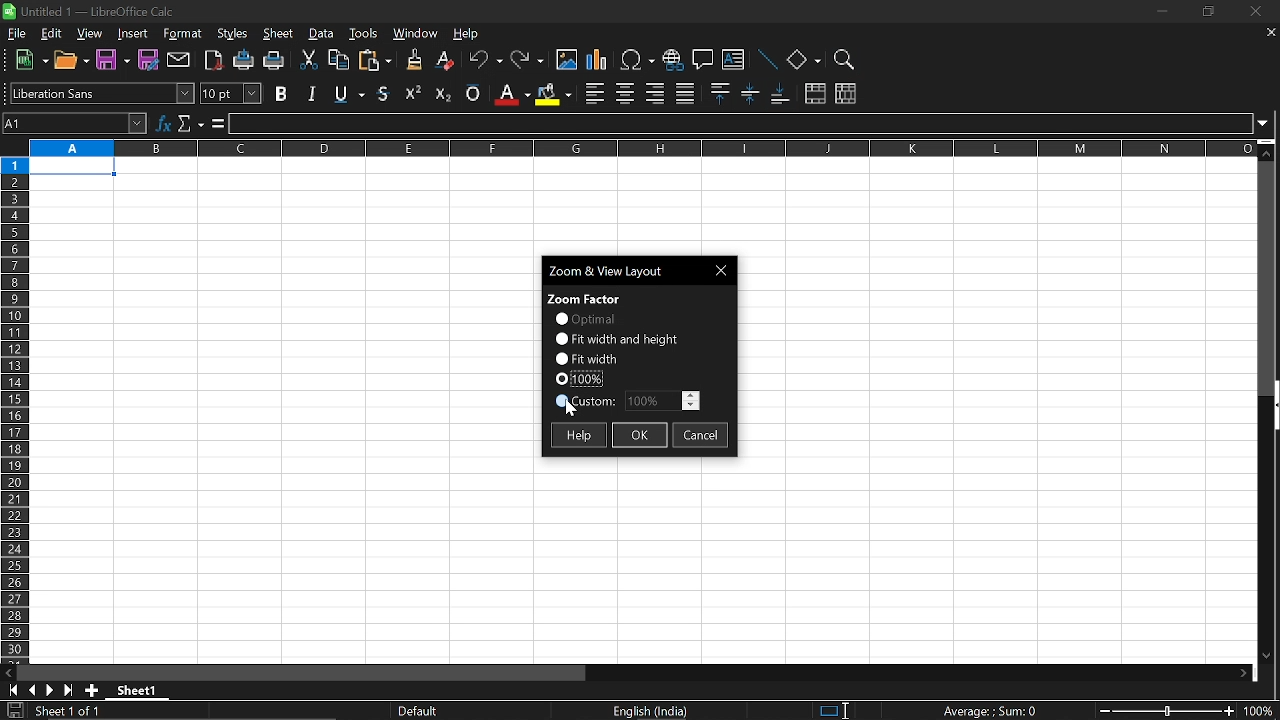  Describe the element at coordinates (782, 95) in the screenshot. I see `align bottom` at that location.